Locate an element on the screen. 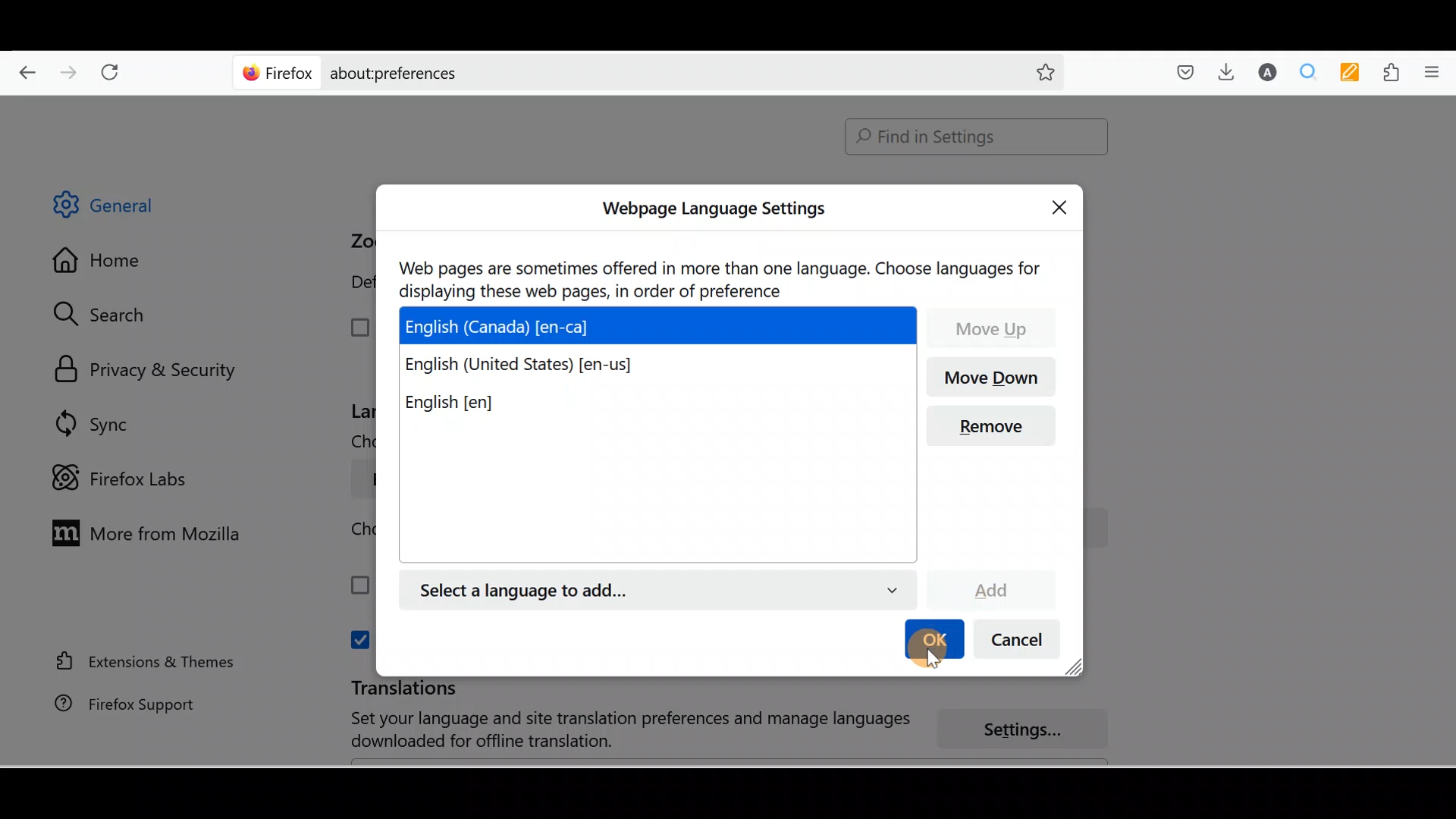  Bookmark this page is located at coordinates (1034, 71).